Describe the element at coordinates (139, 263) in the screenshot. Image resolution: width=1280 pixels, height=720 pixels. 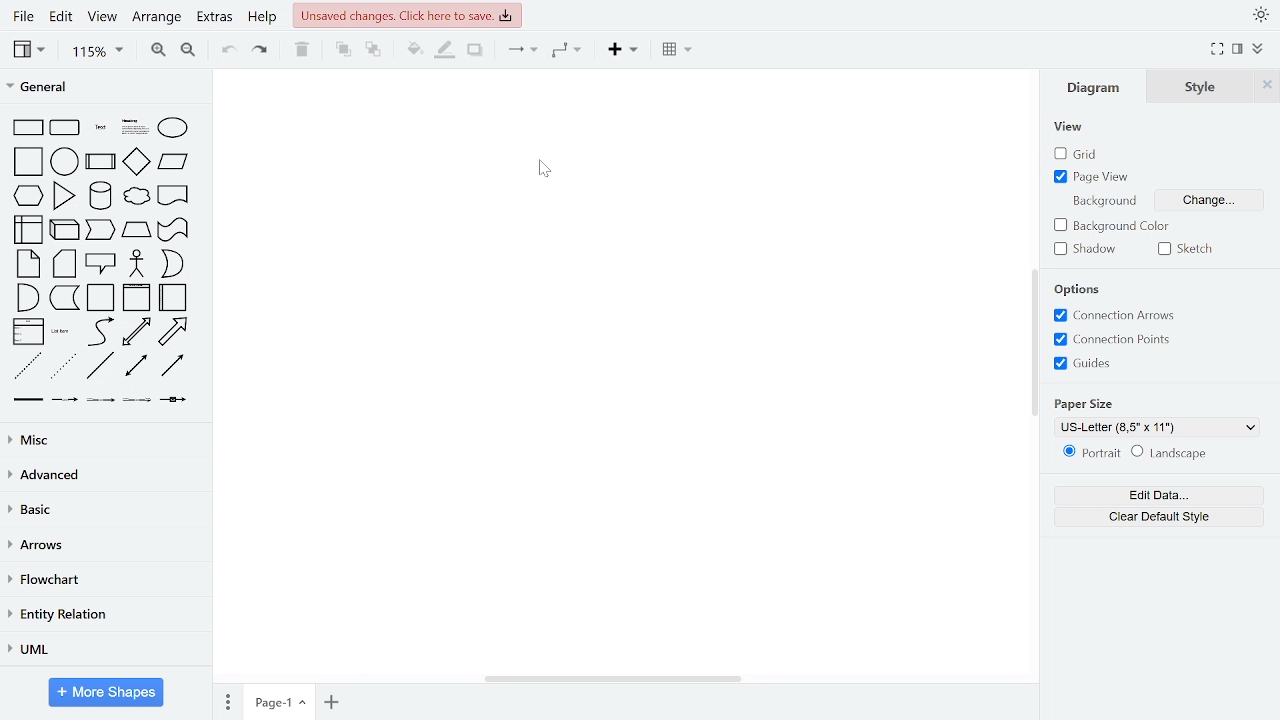
I see `actor` at that location.